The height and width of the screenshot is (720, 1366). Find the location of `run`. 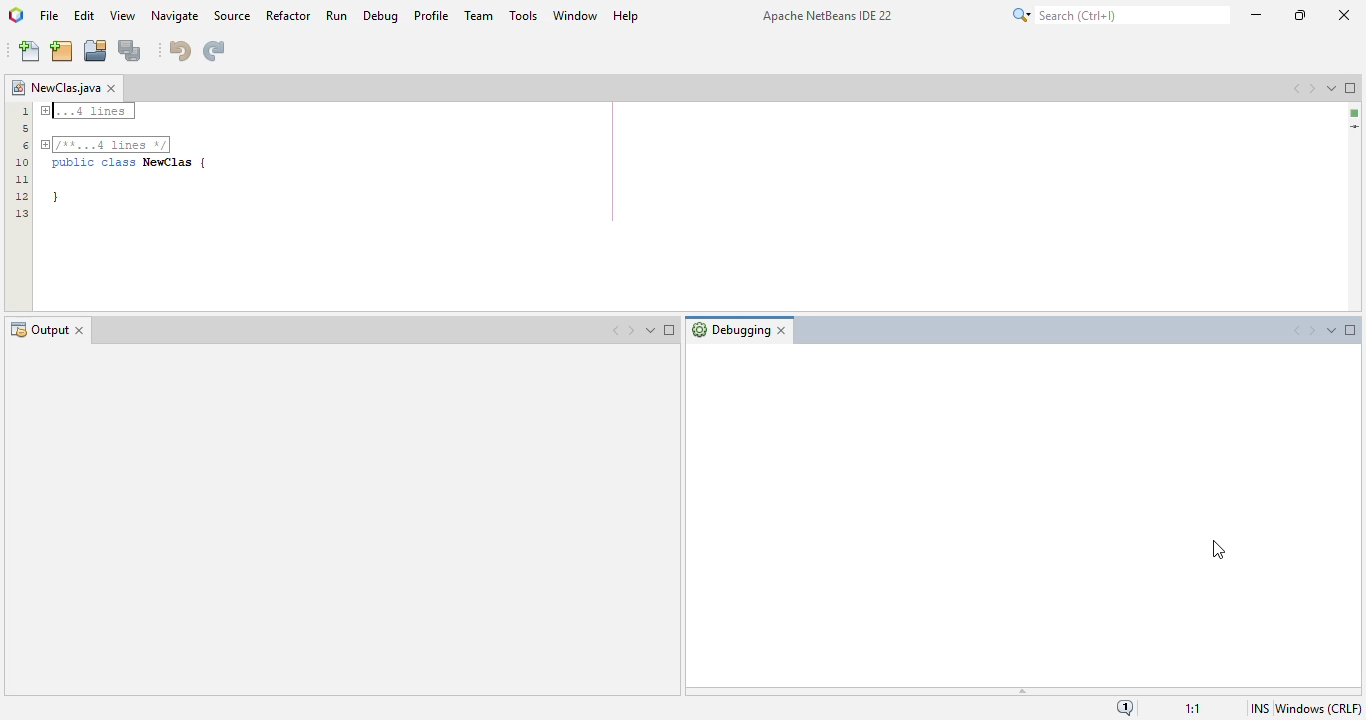

run is located at coordinates (336, 15).